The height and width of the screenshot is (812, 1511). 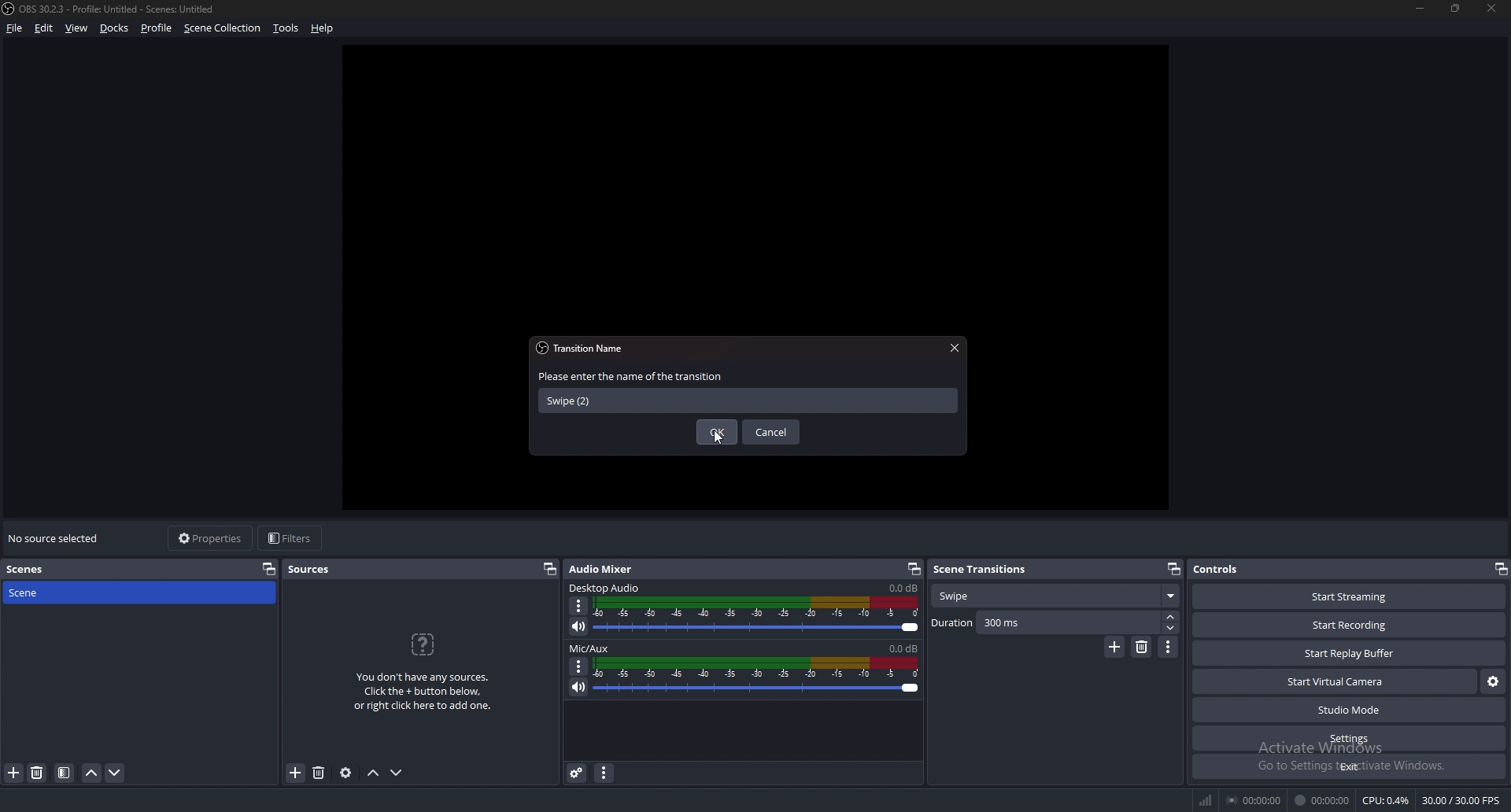 I want to click on move up, so click(x=373, y=773).